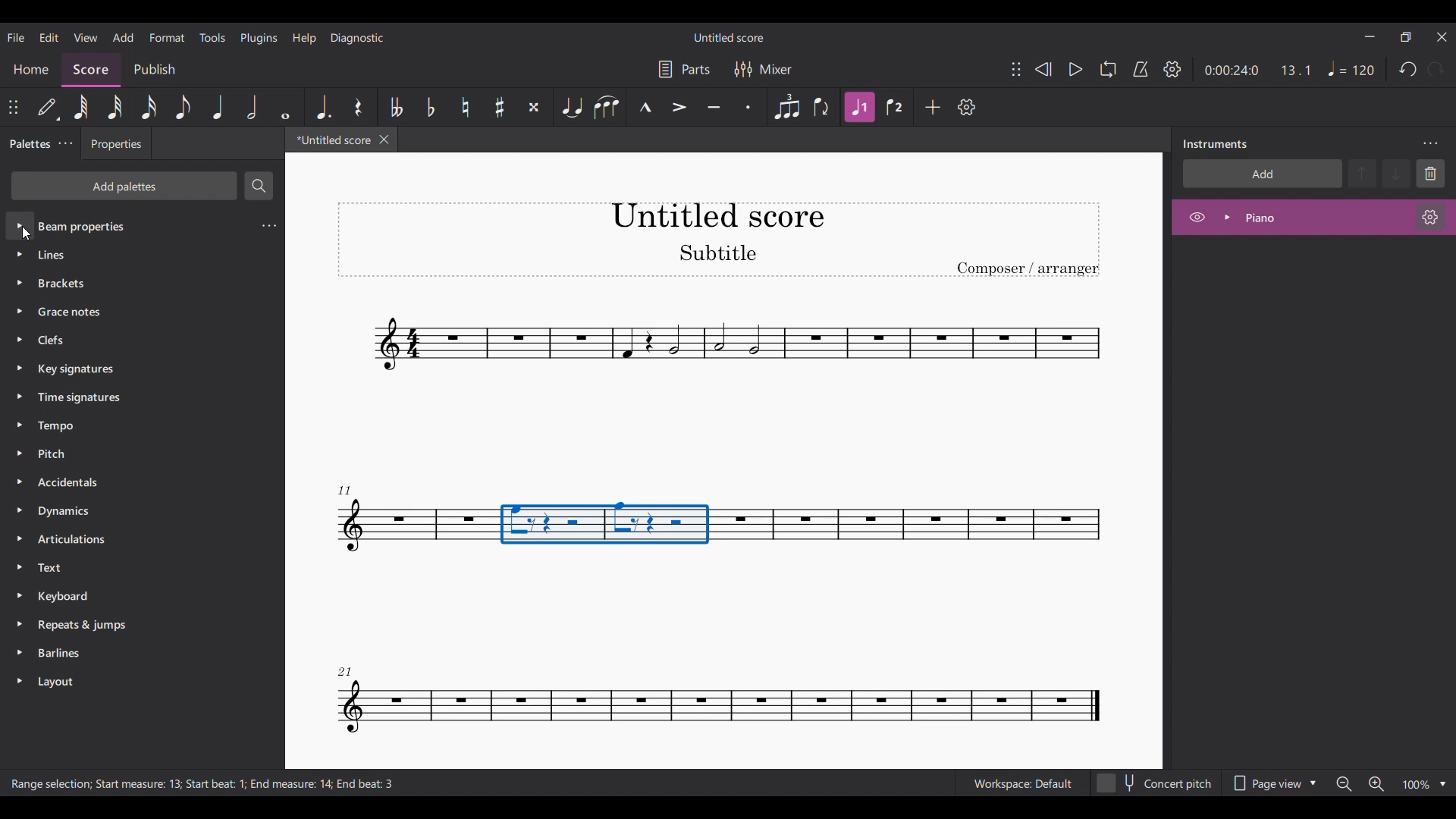 This screenshot has width=1456, height=819. Describe the element at coordinates (1227, 217) in the screenshot. I see `Expand` at that location.